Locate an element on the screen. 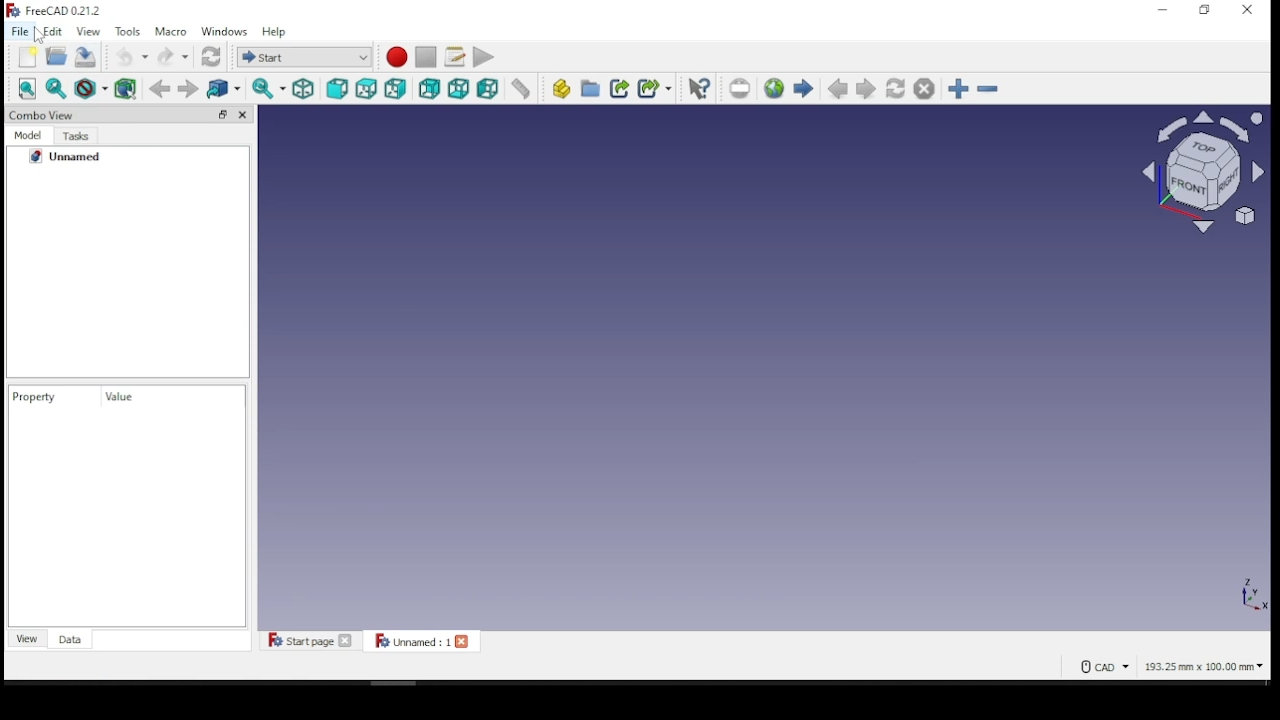 This screenshot has width=1280, height=720. restore is located at coordinates (1204, 10).